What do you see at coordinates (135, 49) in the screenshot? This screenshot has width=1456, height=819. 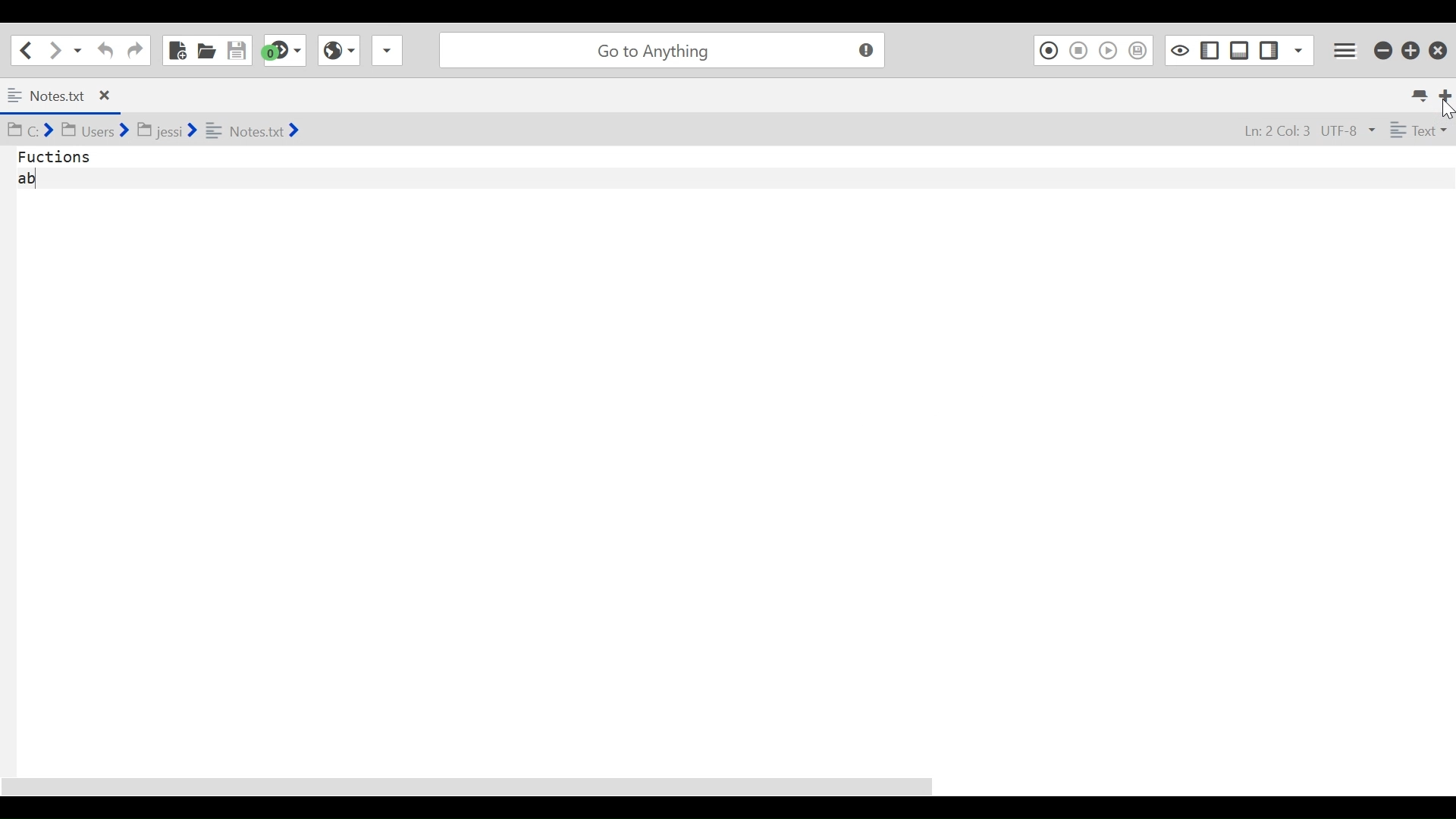 I see `Redo` at bounding box center [135, 49].